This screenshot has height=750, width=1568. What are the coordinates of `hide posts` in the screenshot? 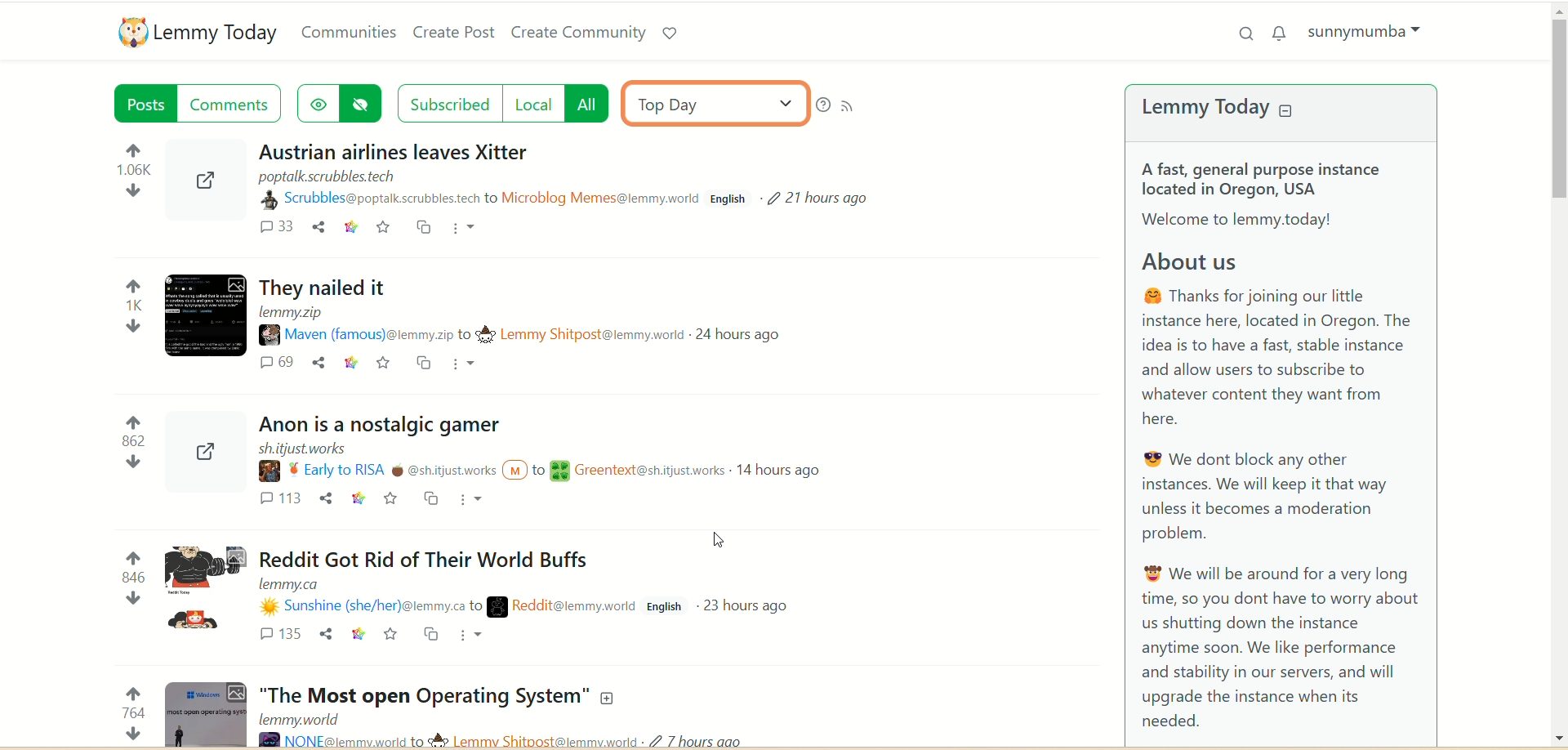 It's located at (367, 104).